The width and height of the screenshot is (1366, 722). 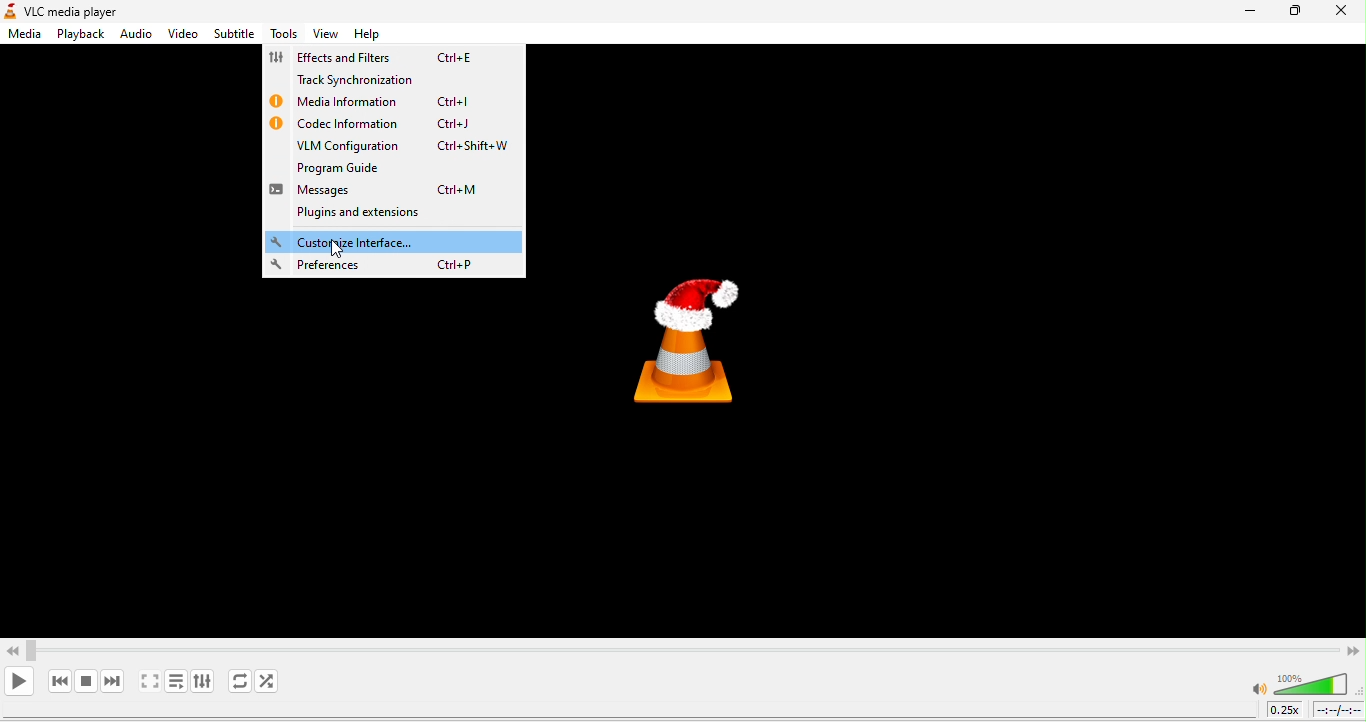 What do you see at coordinates (87, 680) in the screenshot?
I see `stop playback` at bounding box center [87, 680].